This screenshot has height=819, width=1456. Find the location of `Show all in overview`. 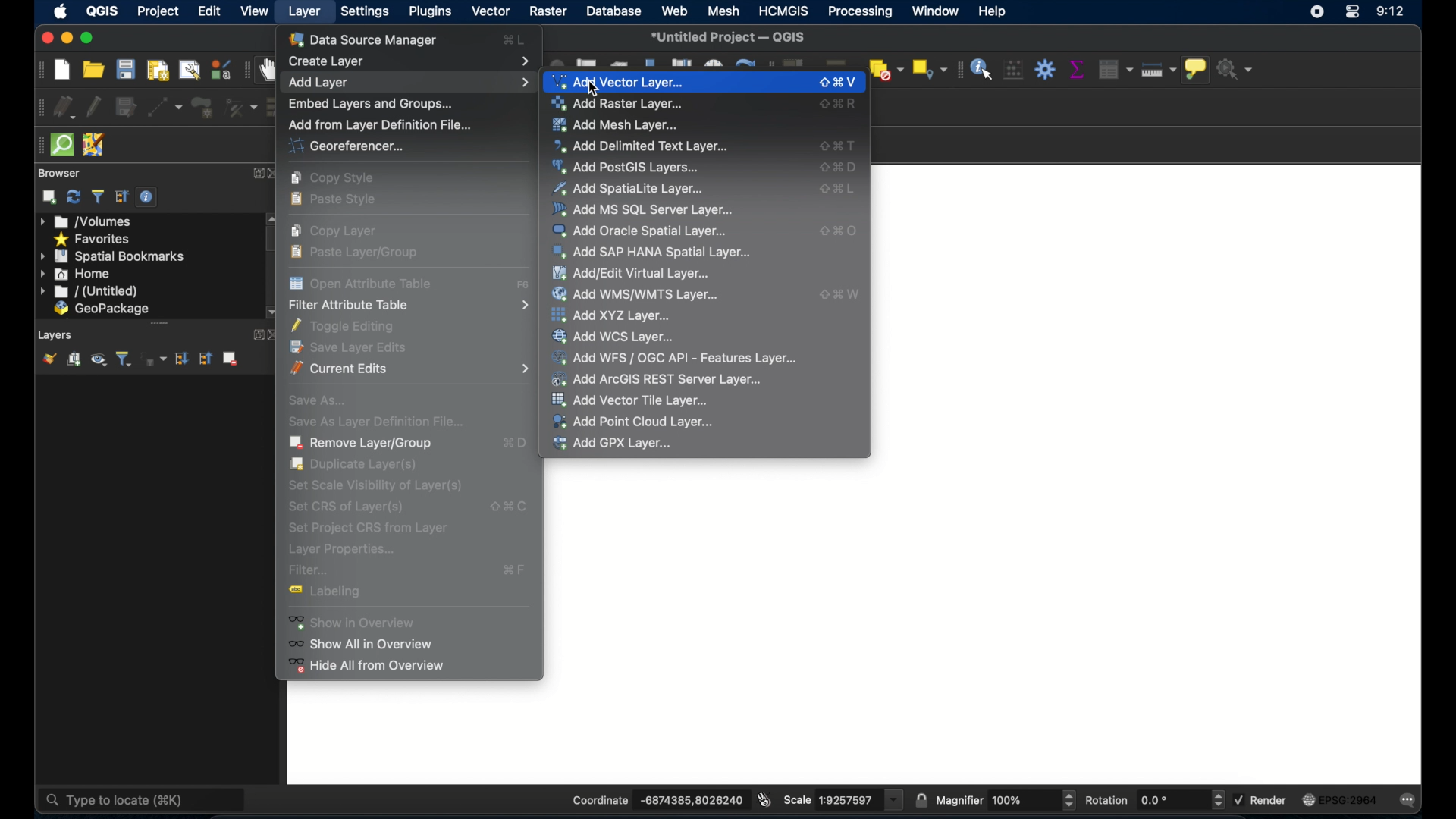

Show all in overview is located at coordinates (376, 646).